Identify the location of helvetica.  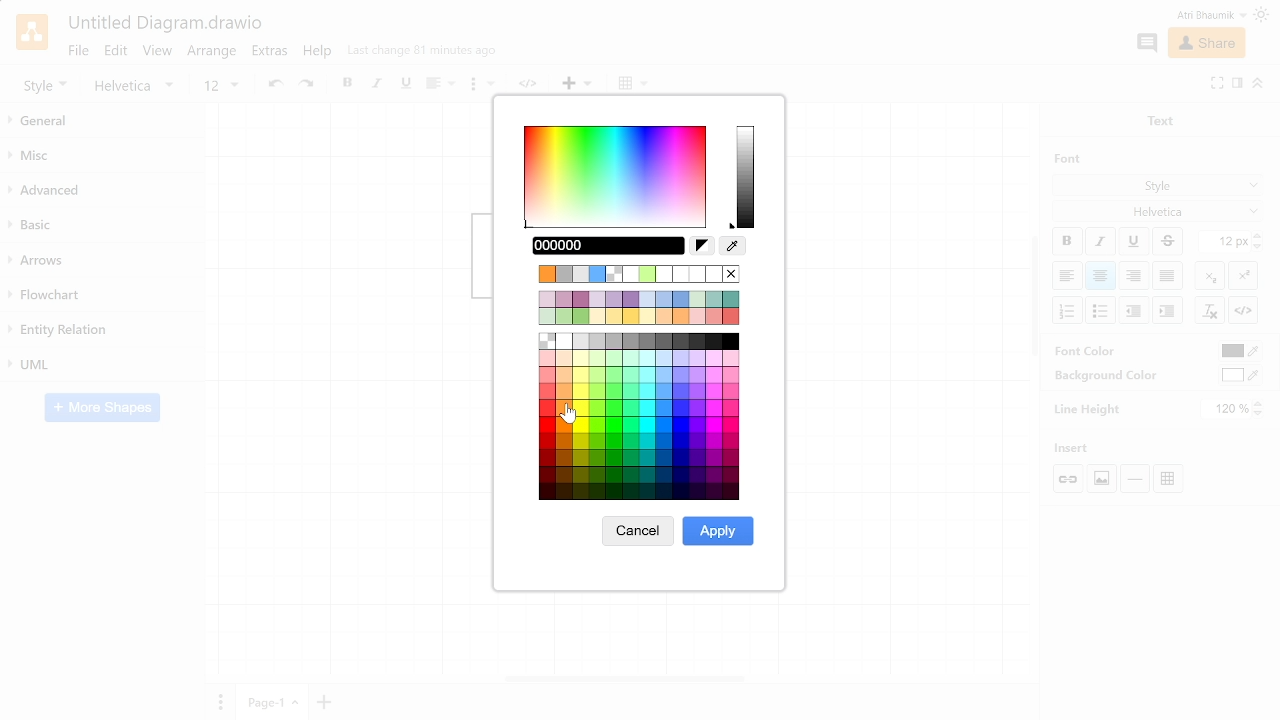
(138, 86).